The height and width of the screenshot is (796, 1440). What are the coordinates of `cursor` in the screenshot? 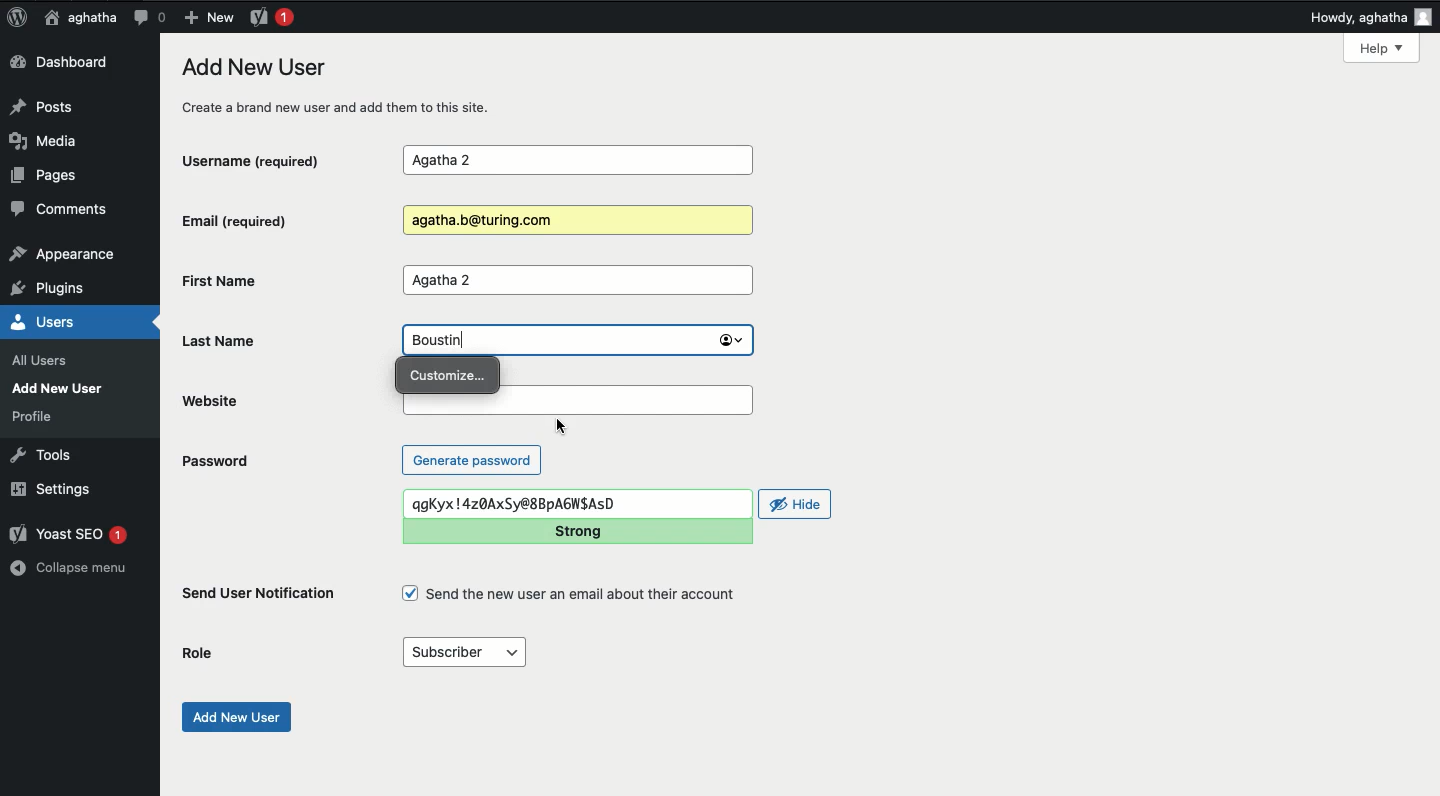 It's located at (562, 430).